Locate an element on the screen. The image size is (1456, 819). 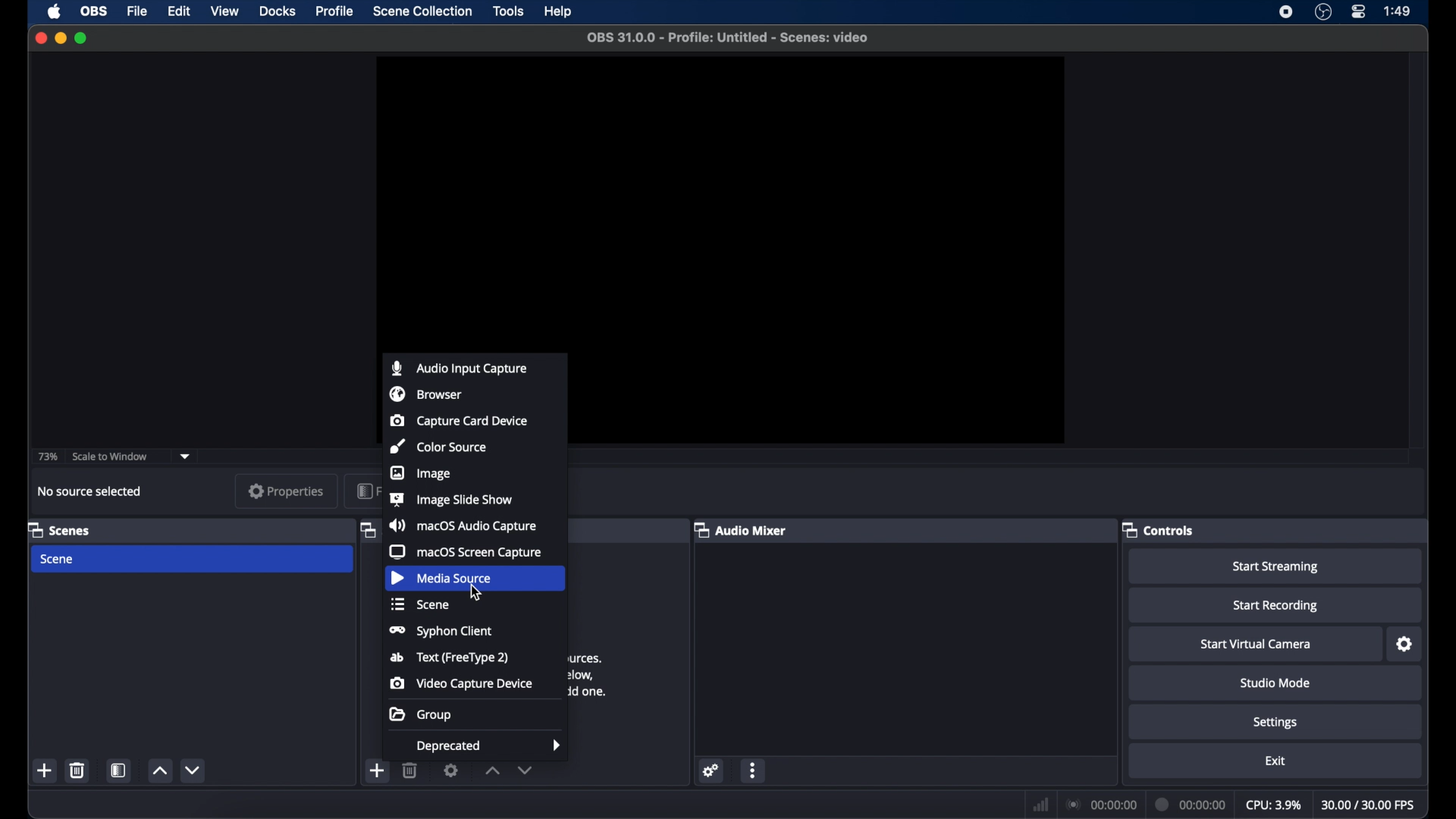
decrement is located at coordinates (526, 769).